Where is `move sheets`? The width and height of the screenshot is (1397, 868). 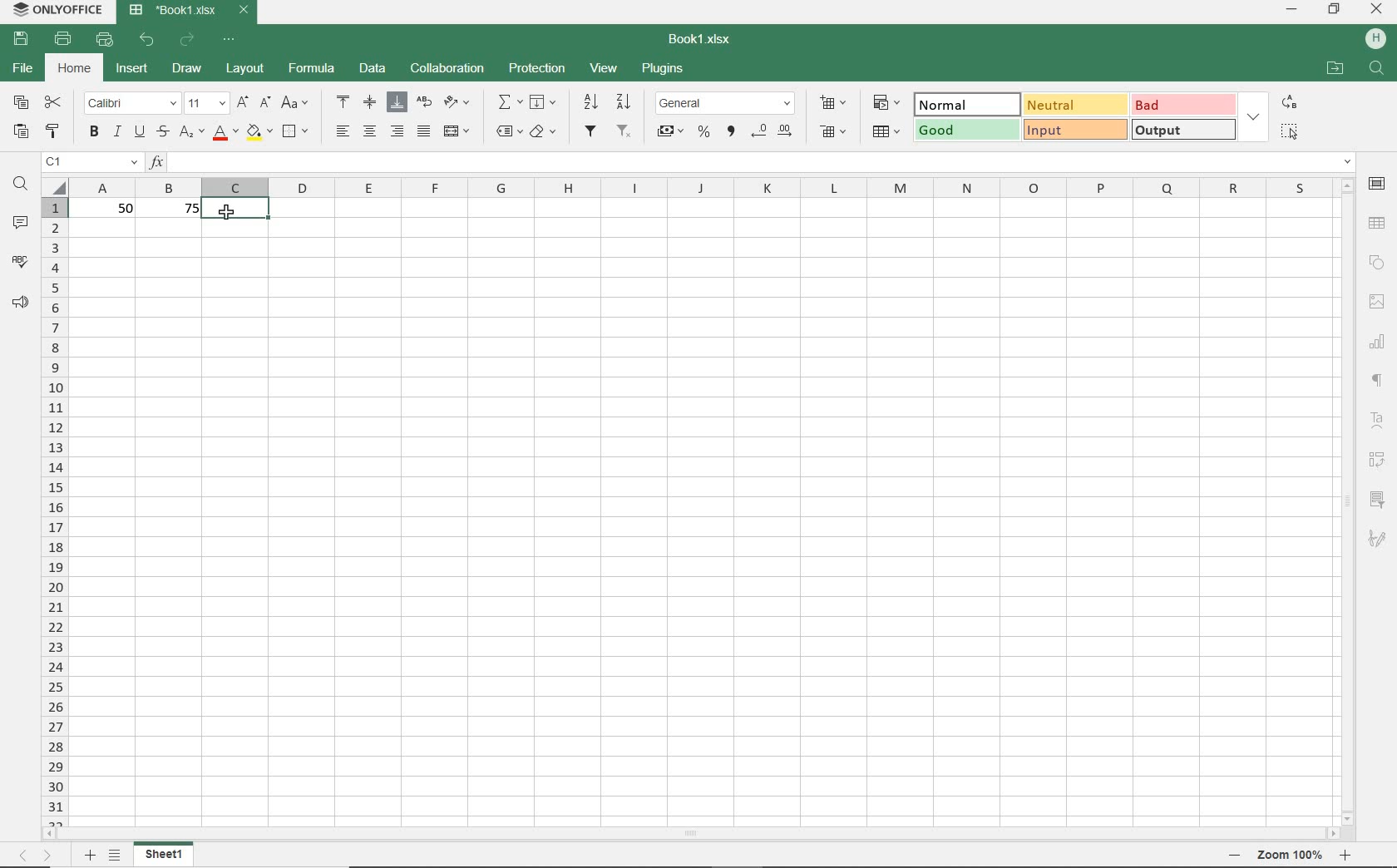
move sheets is located at coordinates (35, 855).